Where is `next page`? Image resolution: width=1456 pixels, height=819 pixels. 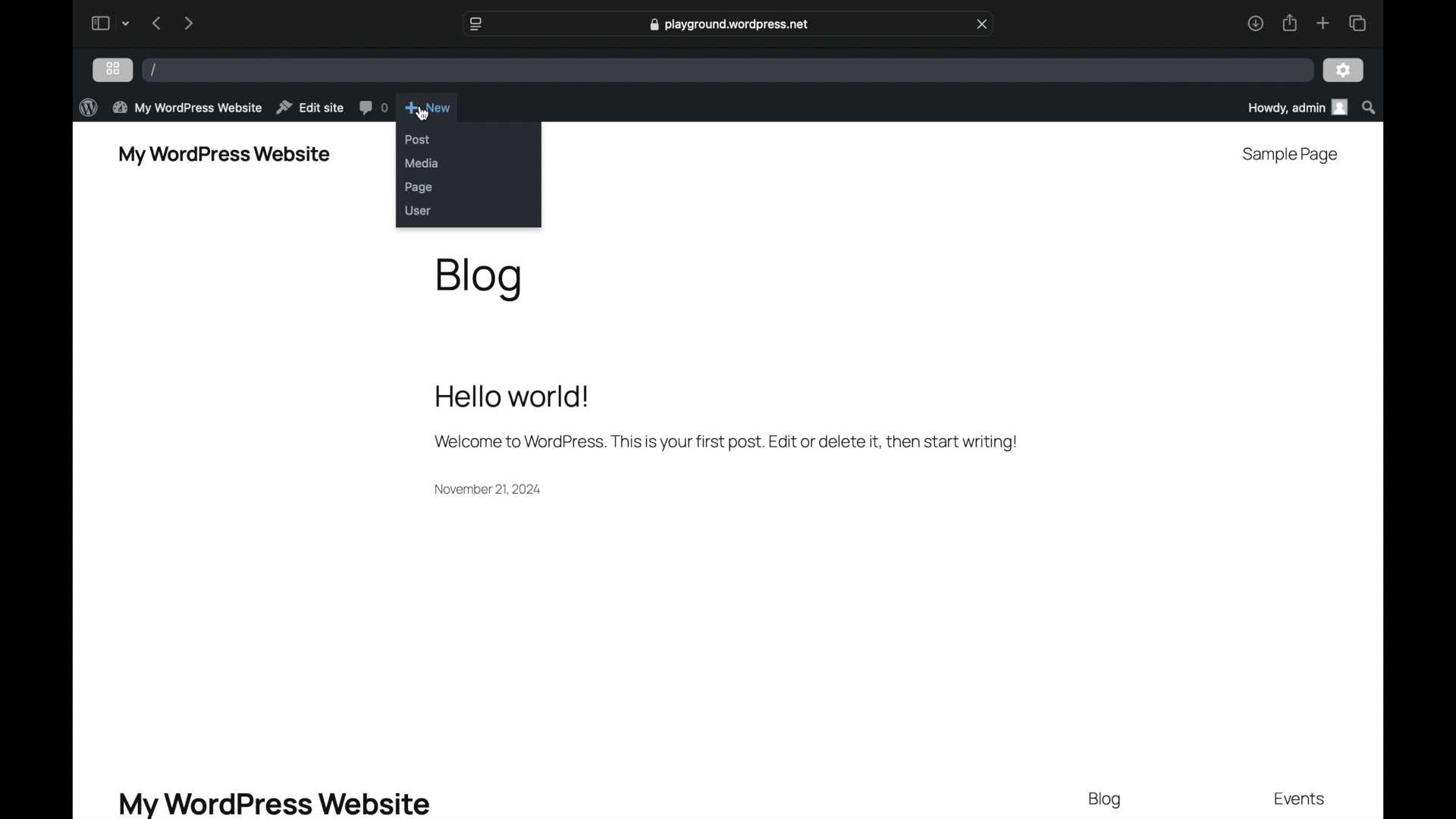
next page is located at coordinates (188, 22).